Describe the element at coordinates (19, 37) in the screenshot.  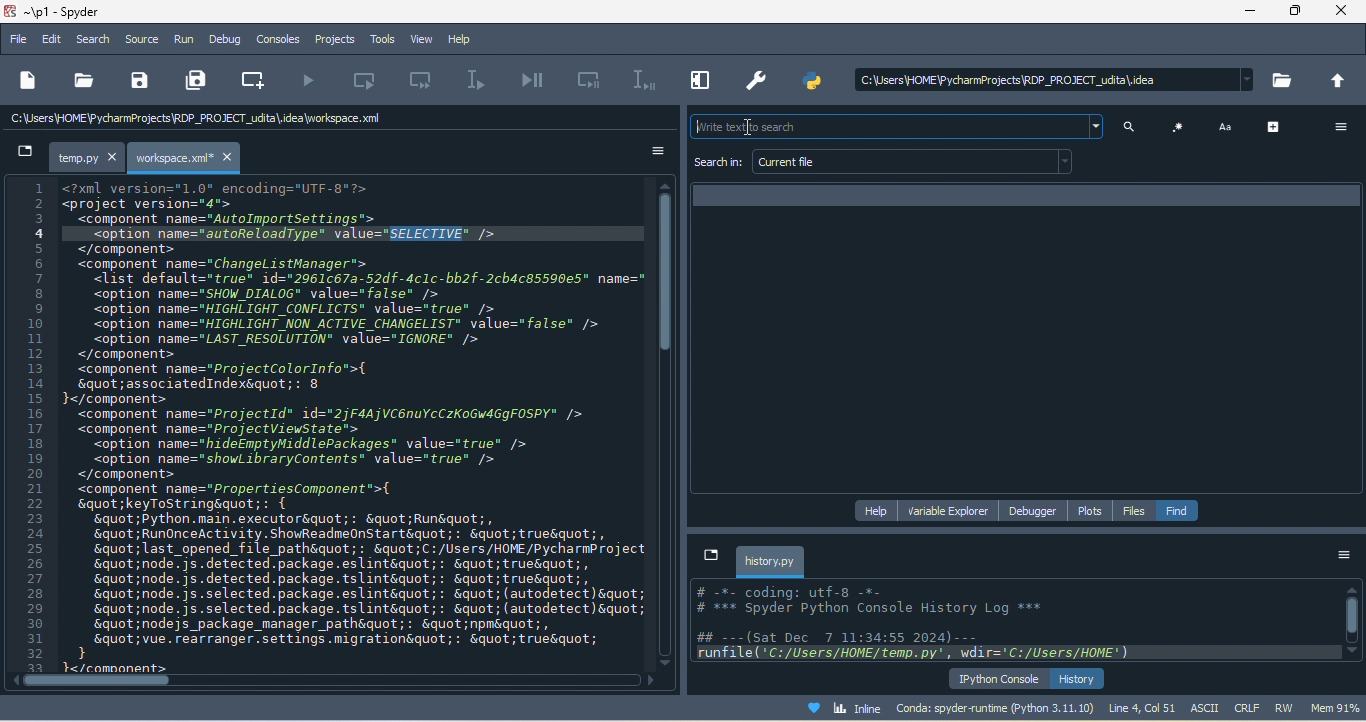
I see `file` at that location.